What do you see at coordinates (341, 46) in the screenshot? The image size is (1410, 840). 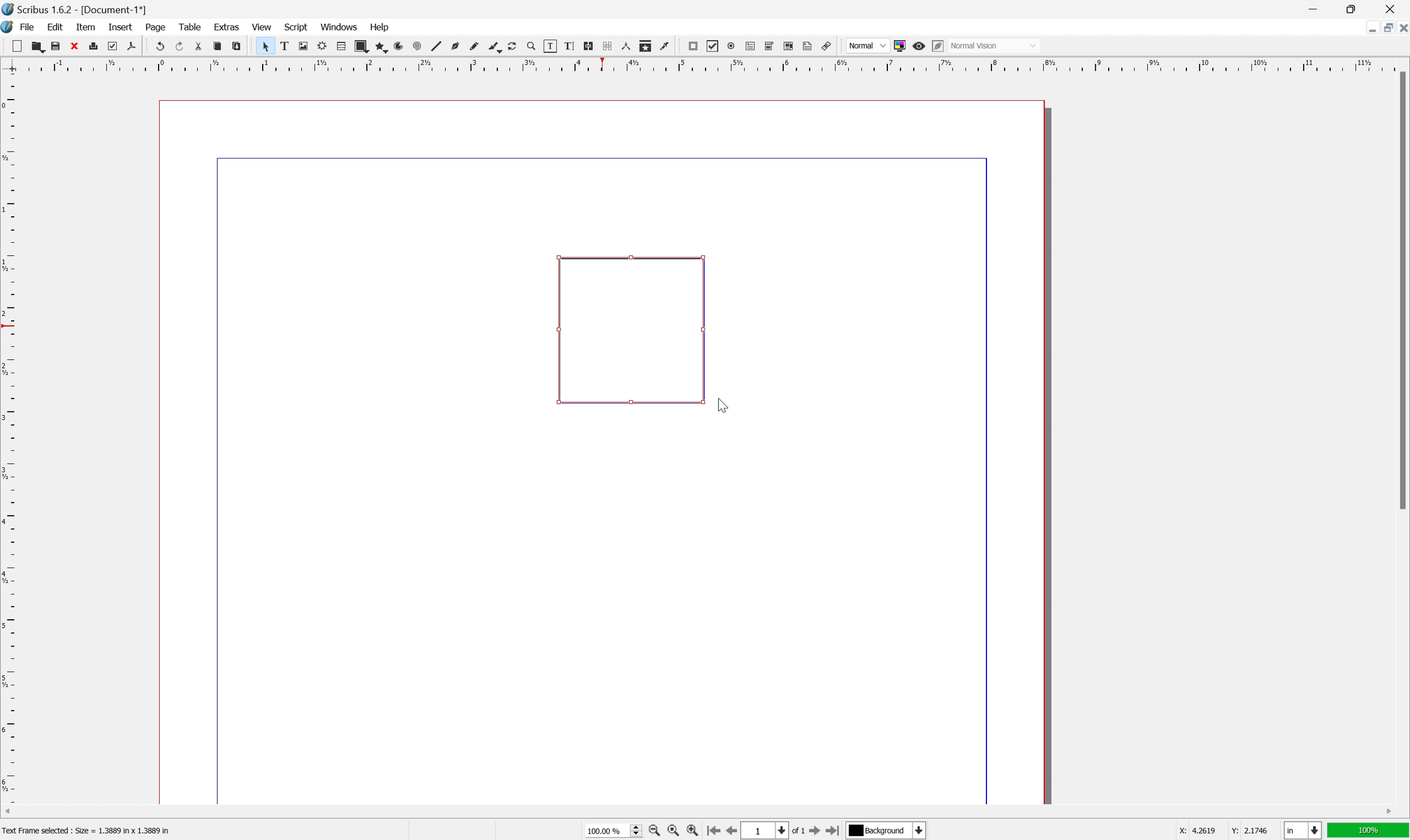 I see `table` at bounding box center [341, 46].